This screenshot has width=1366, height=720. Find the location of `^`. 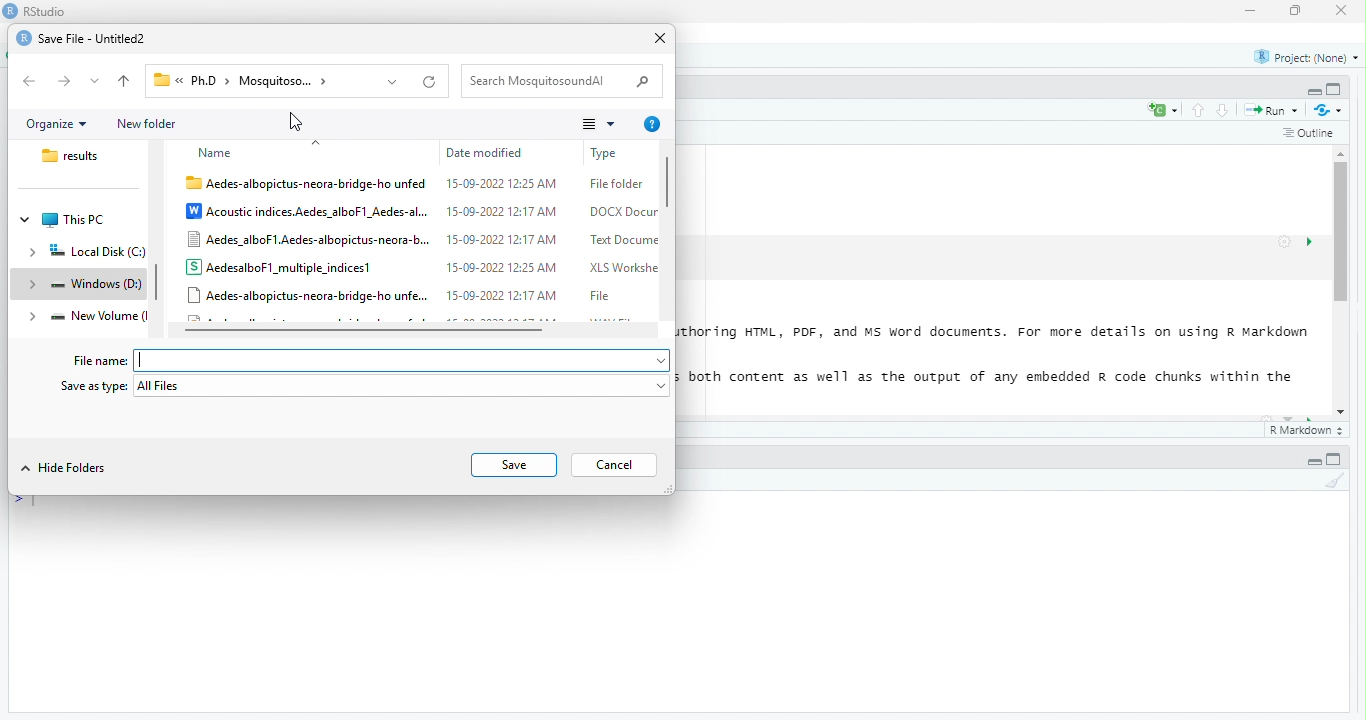

^ is located at coordinates (317, 142).